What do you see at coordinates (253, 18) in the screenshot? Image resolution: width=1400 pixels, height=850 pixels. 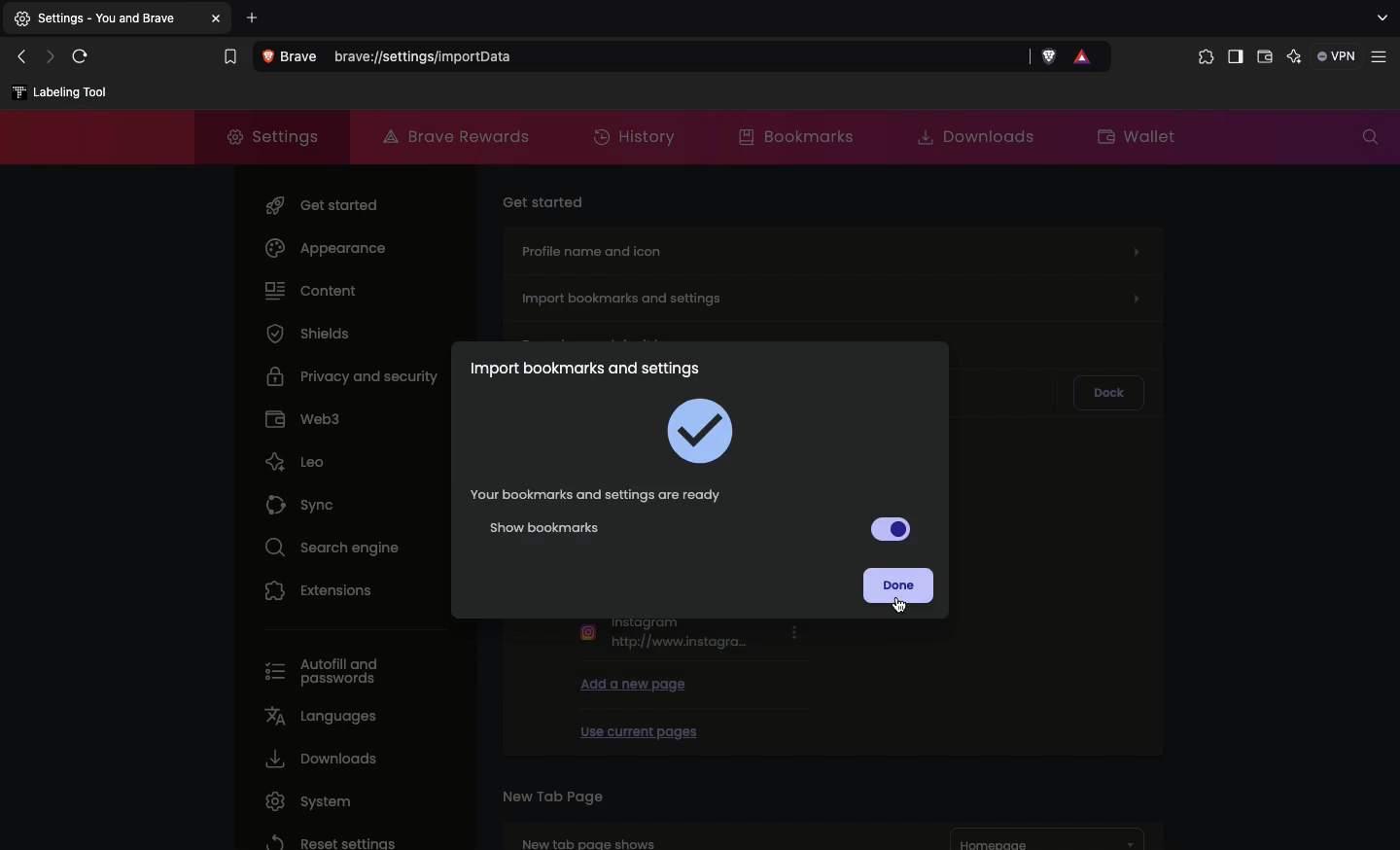 I see `Add new tab` at bounding box center [253, 18].